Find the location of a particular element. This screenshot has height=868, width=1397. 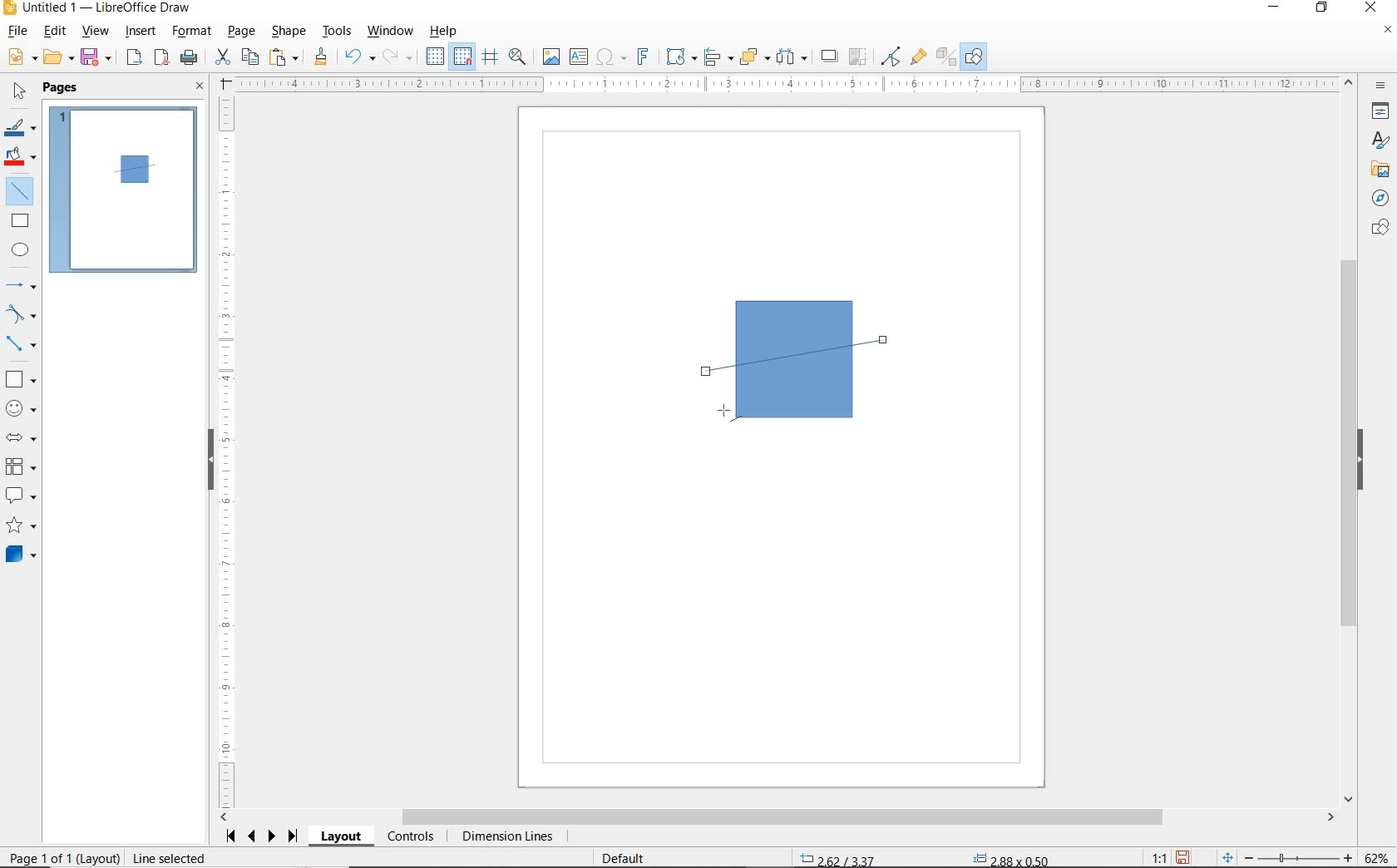

ALIGN OBJECTS is located at coordinates (718, 57).